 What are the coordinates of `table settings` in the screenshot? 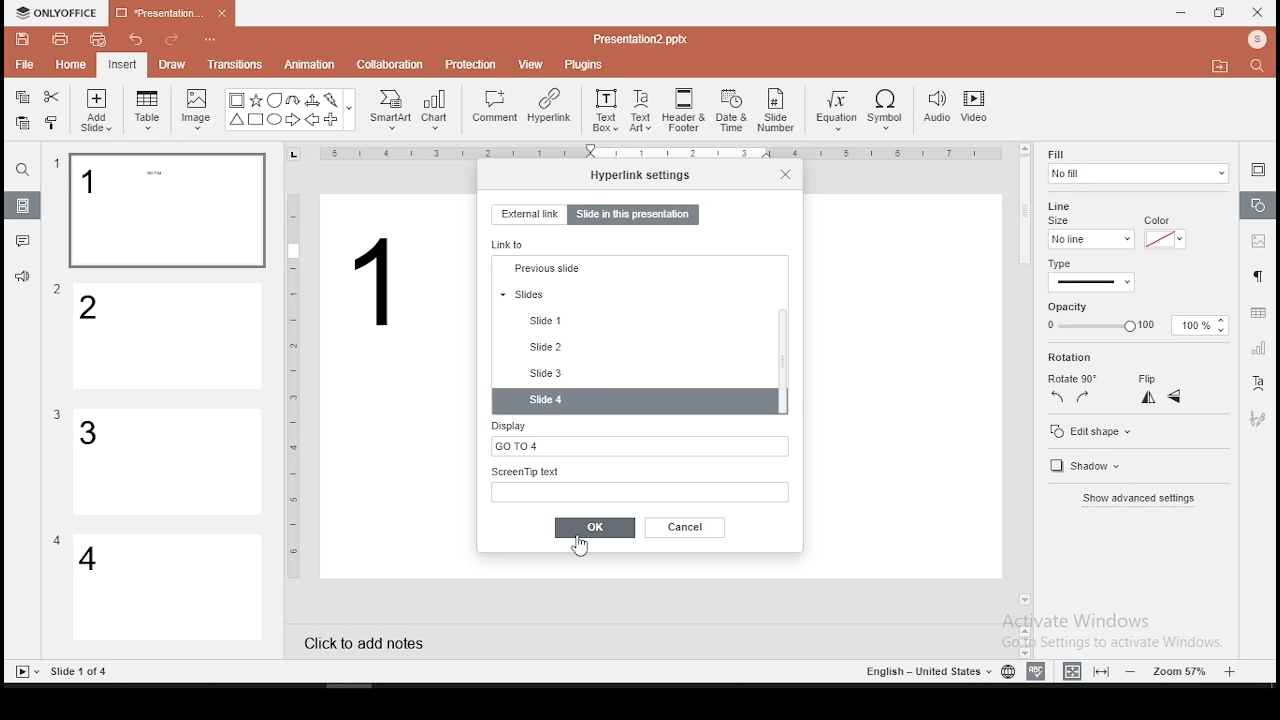 It's located at (1256, 313).